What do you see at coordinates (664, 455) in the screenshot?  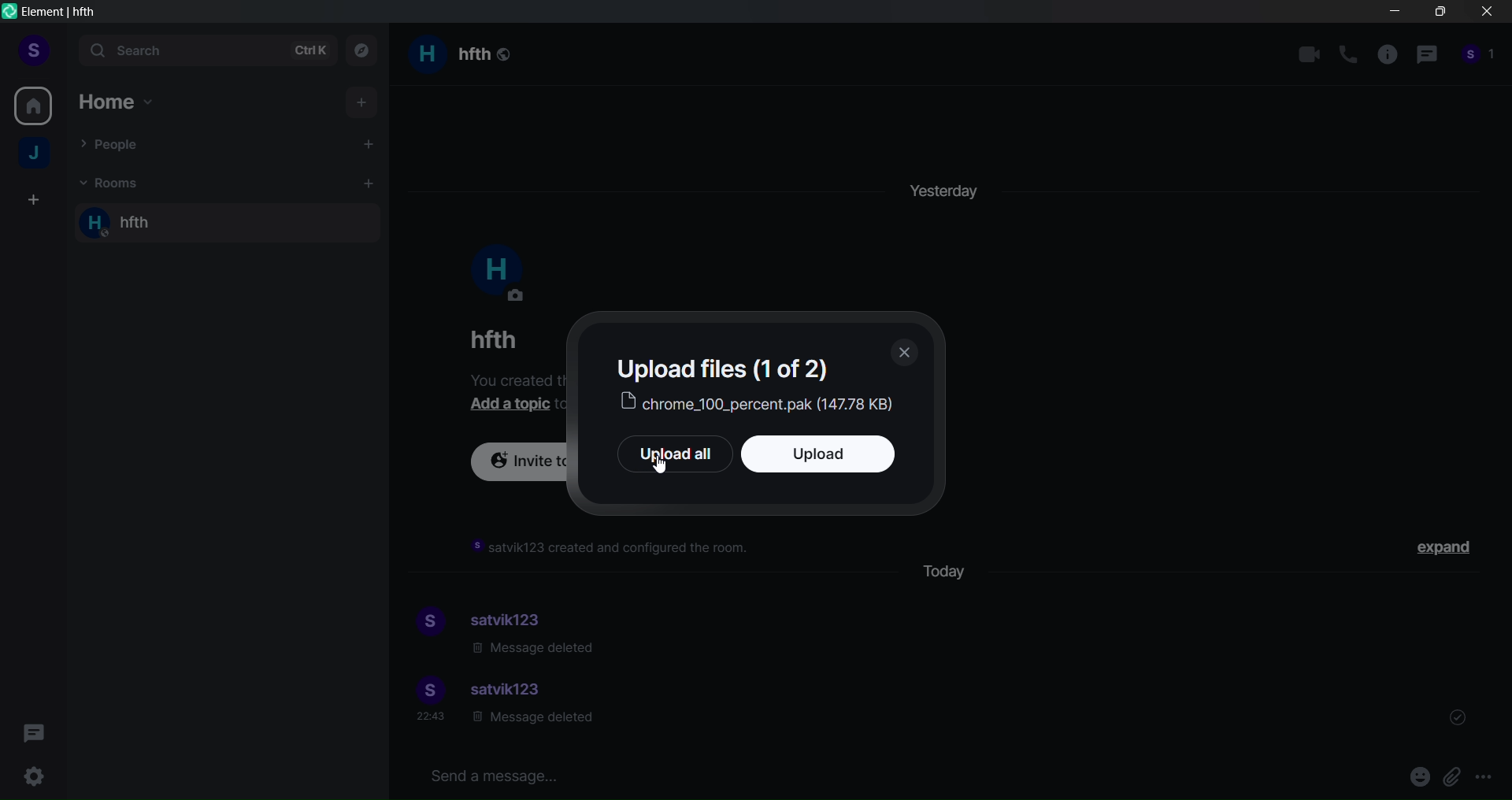 I see `upload all` at bounding box center [664, 455].